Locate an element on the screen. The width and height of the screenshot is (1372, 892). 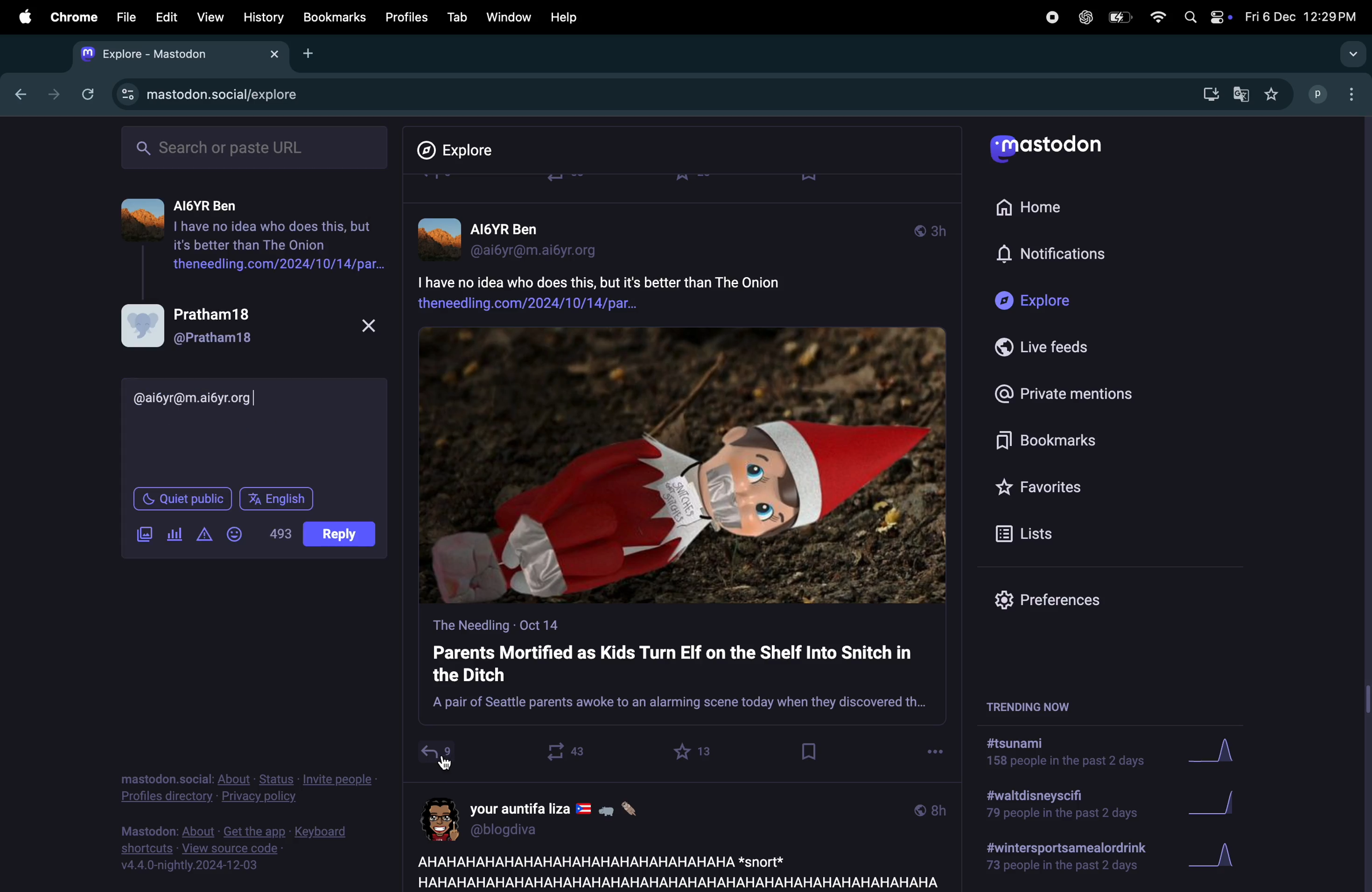
favourite is located at coordinates (695, 751).